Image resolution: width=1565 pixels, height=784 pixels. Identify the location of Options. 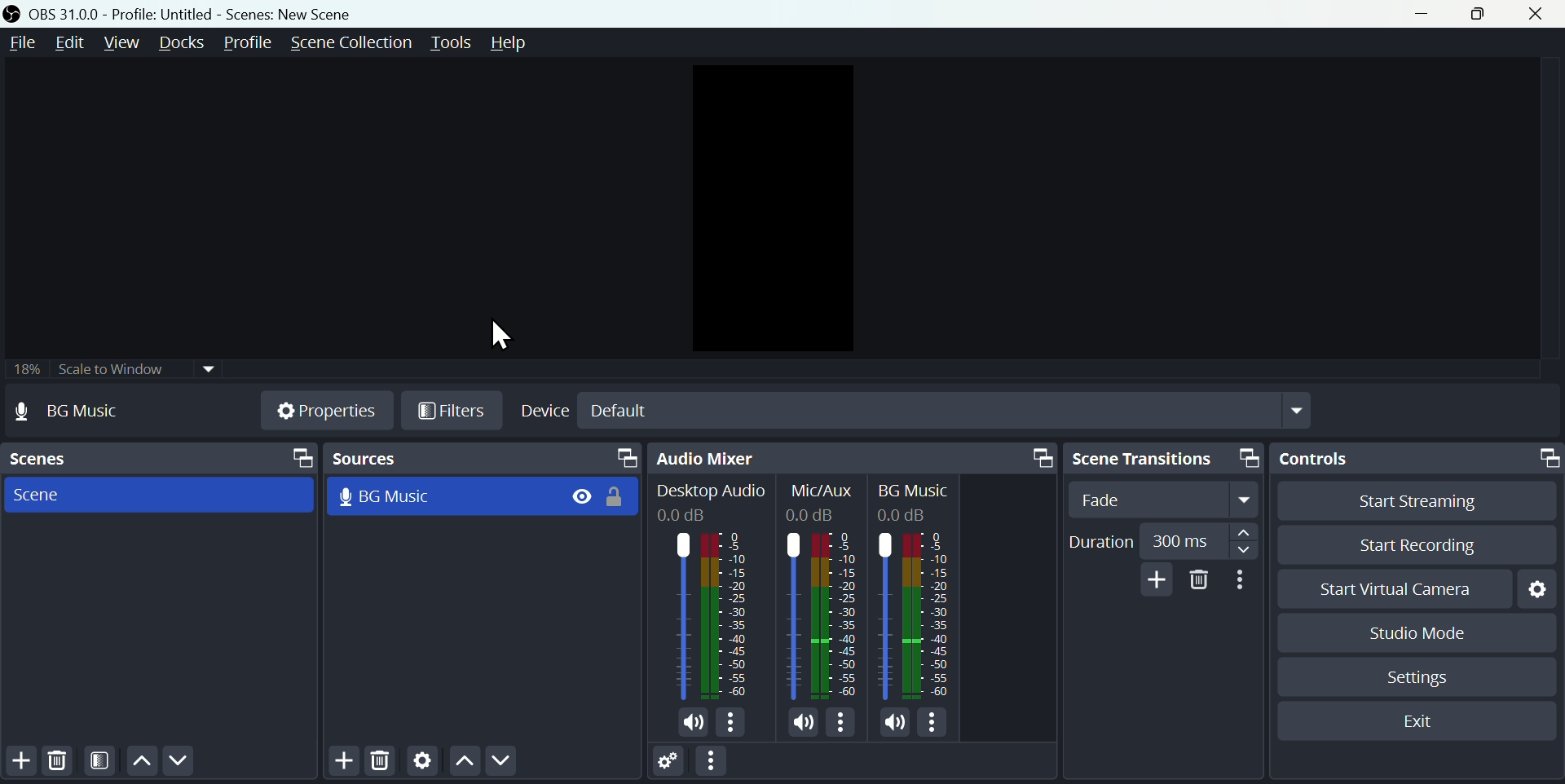
(732, 725).